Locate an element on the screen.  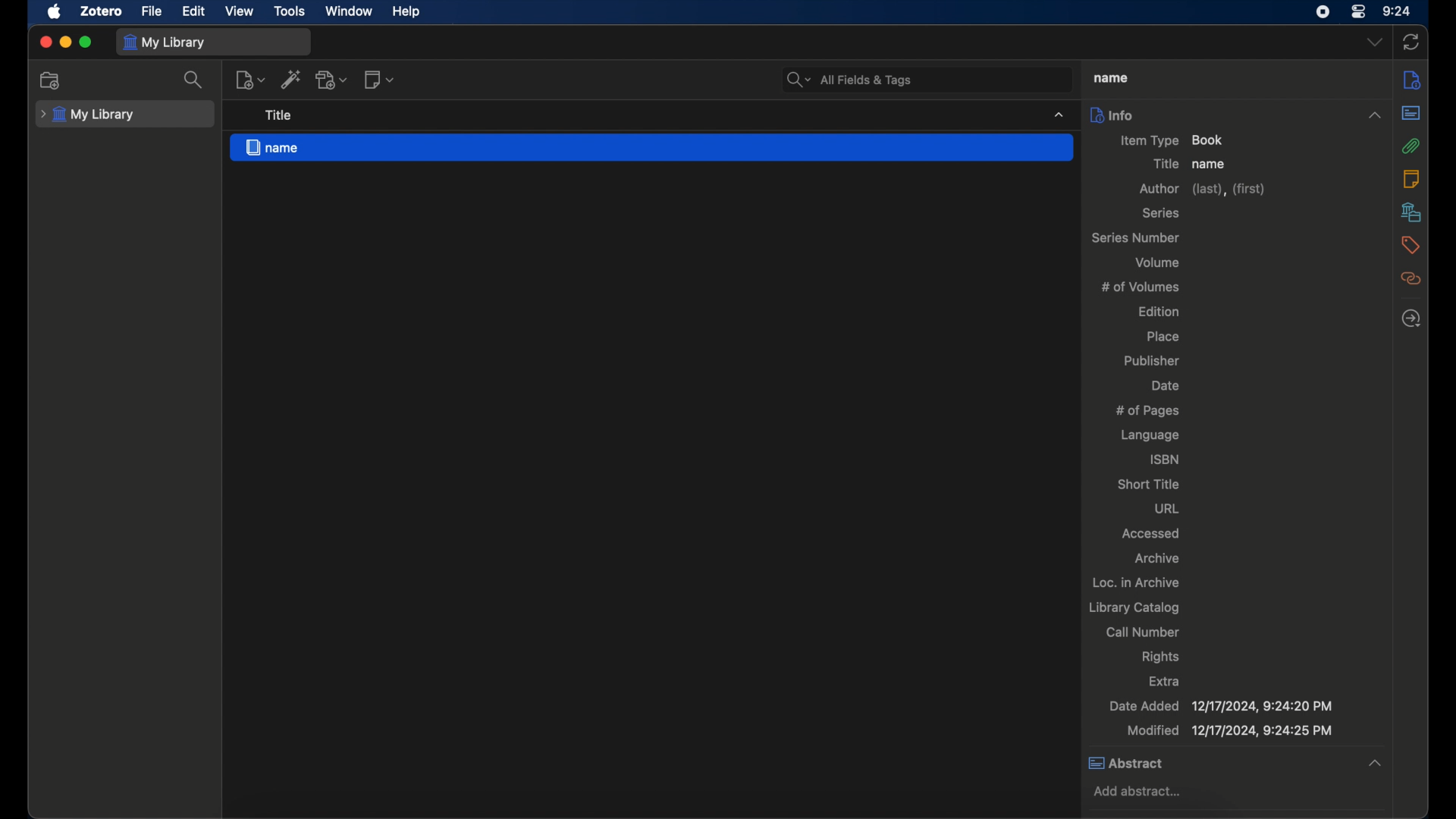
new note is located at coordinates (378, 79).